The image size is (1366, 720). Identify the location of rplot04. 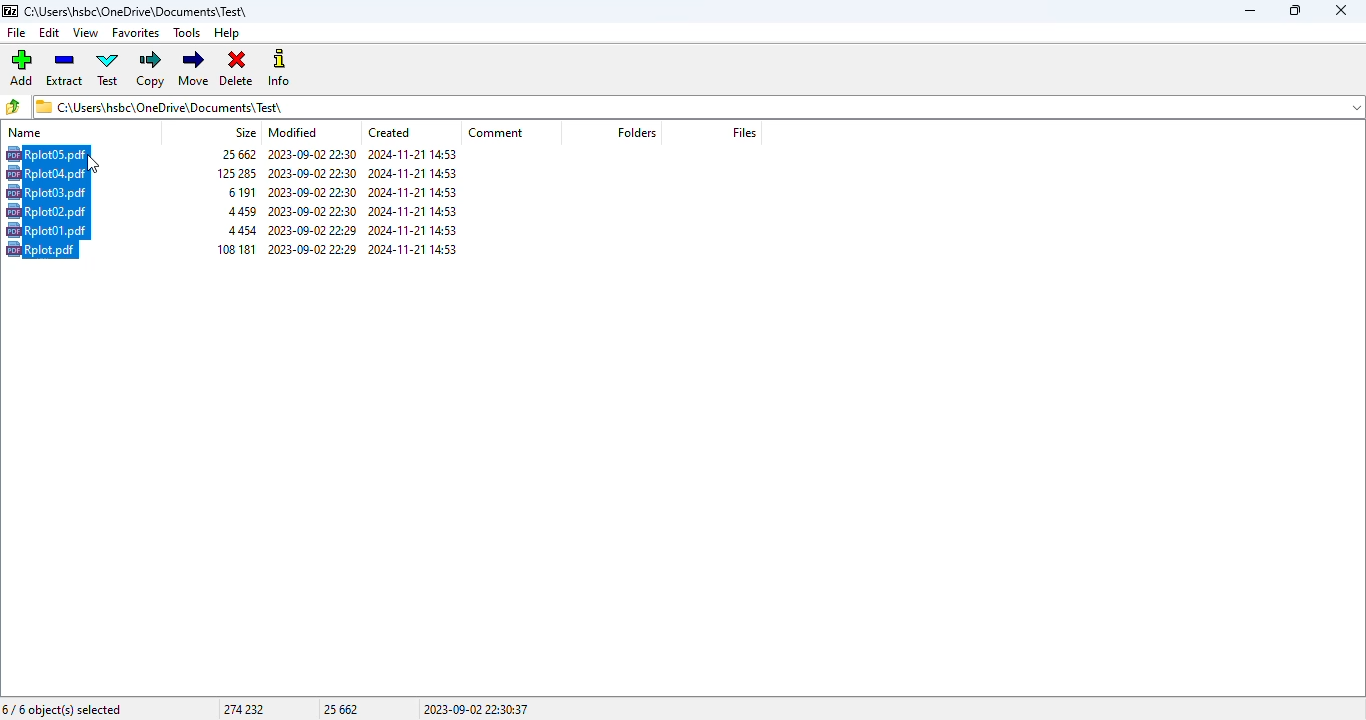
(45, 173).